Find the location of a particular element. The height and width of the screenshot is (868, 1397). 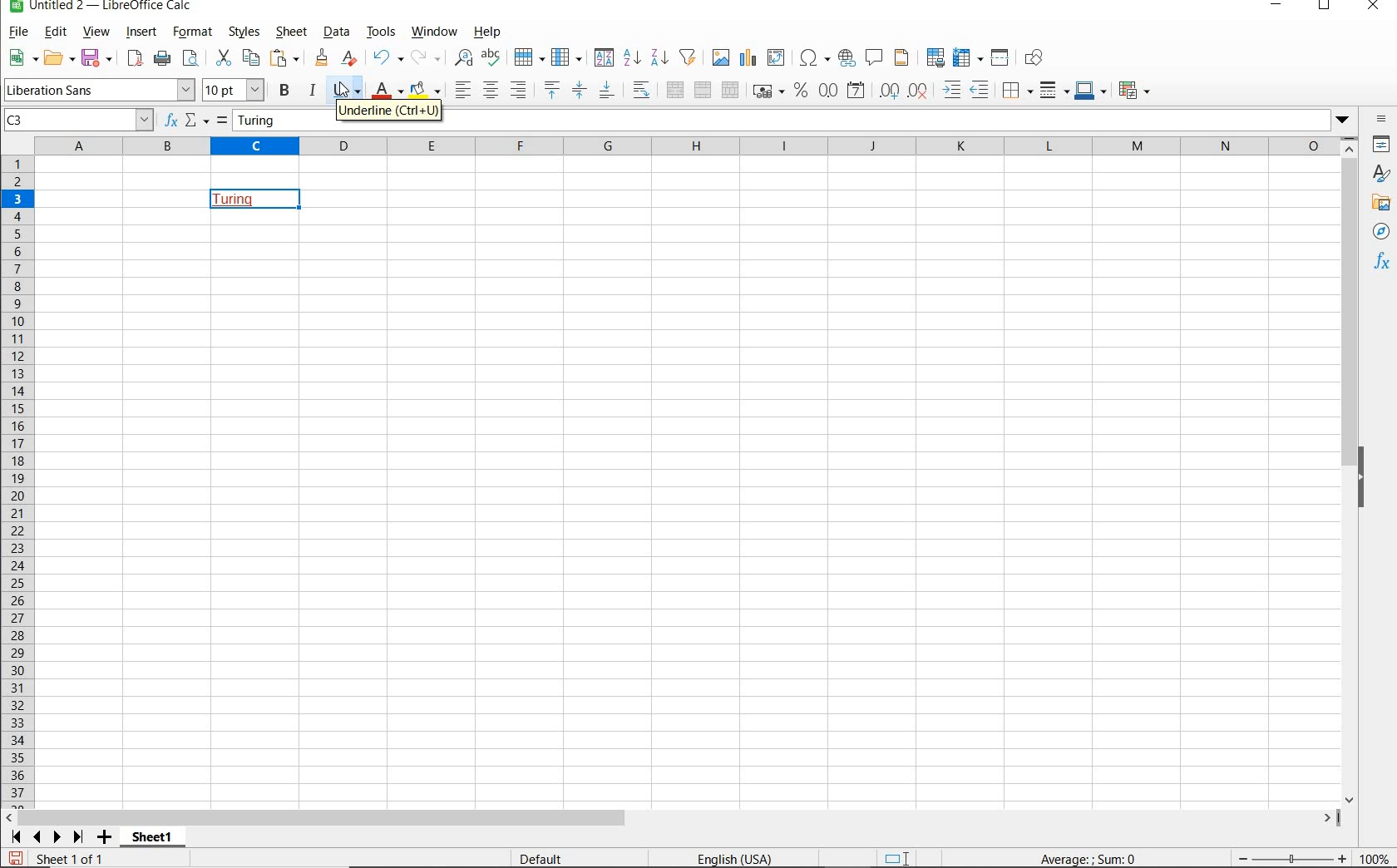

WRAP TEXT is located at coordinates (642, 91).